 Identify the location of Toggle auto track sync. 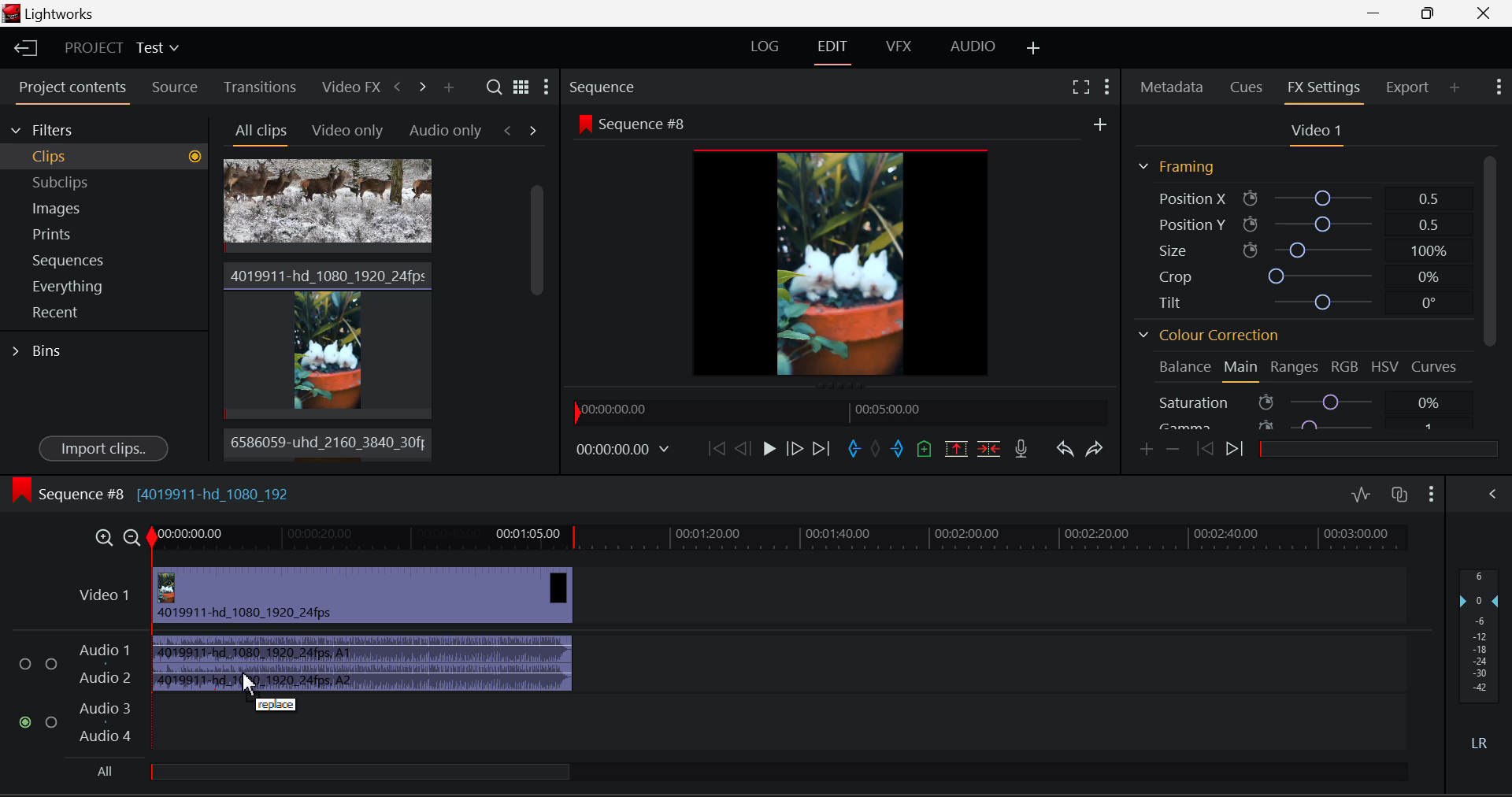
(1399, 495).